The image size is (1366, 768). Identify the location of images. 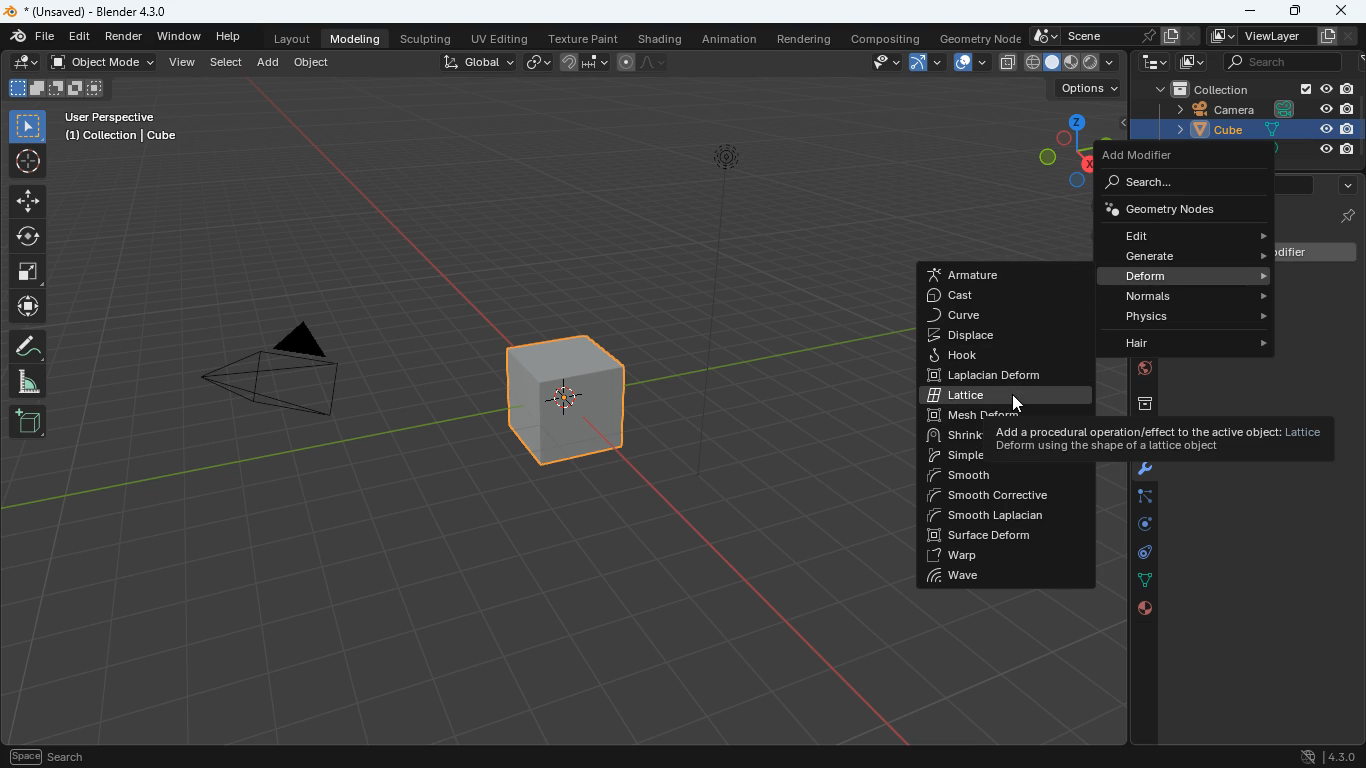
(1188, 62).